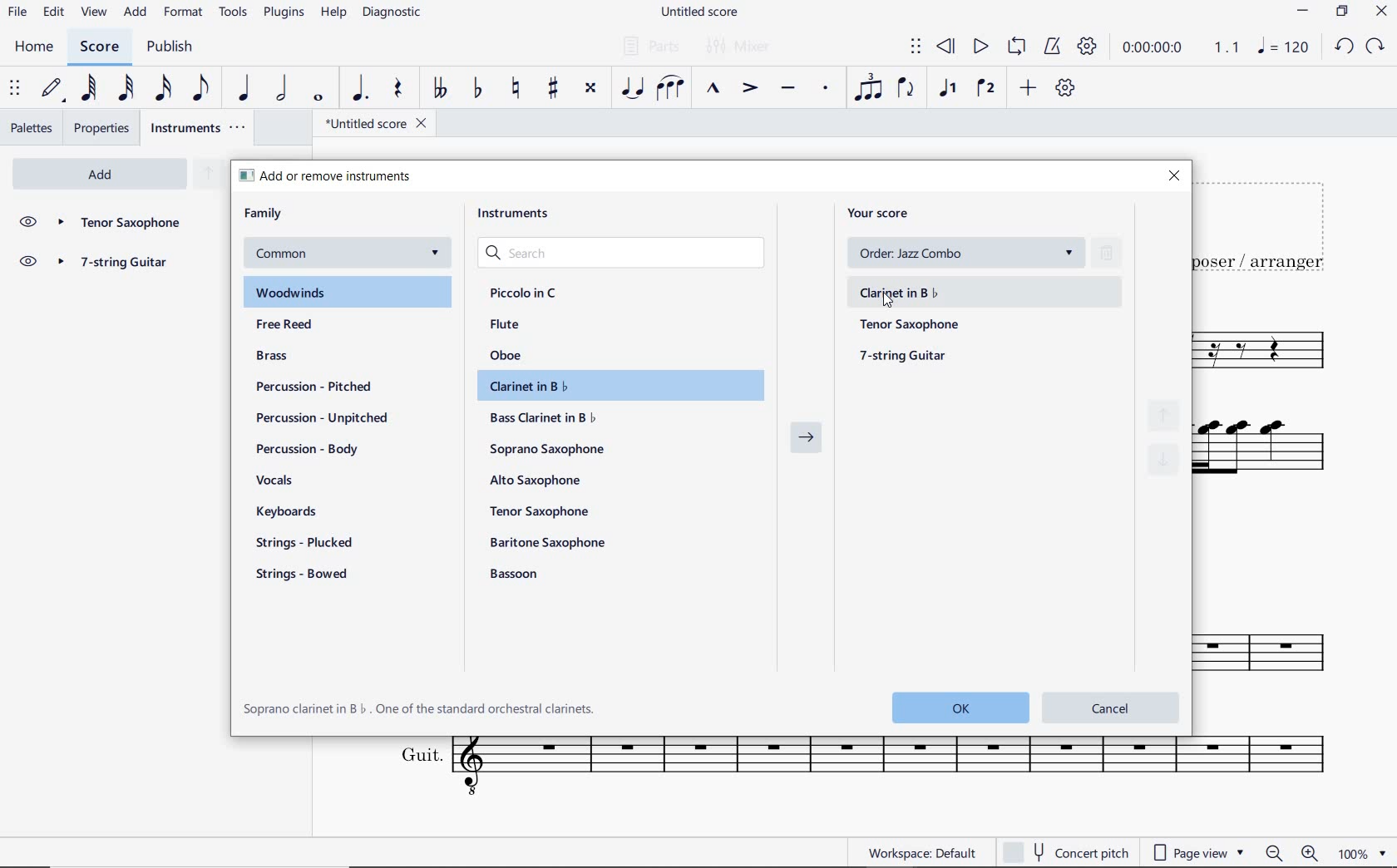 This screenshot has height=868, width=1397. What do you see at coordinates (505, 323) in the screenshot?
I see `flute` at bounding box center [505, 323].